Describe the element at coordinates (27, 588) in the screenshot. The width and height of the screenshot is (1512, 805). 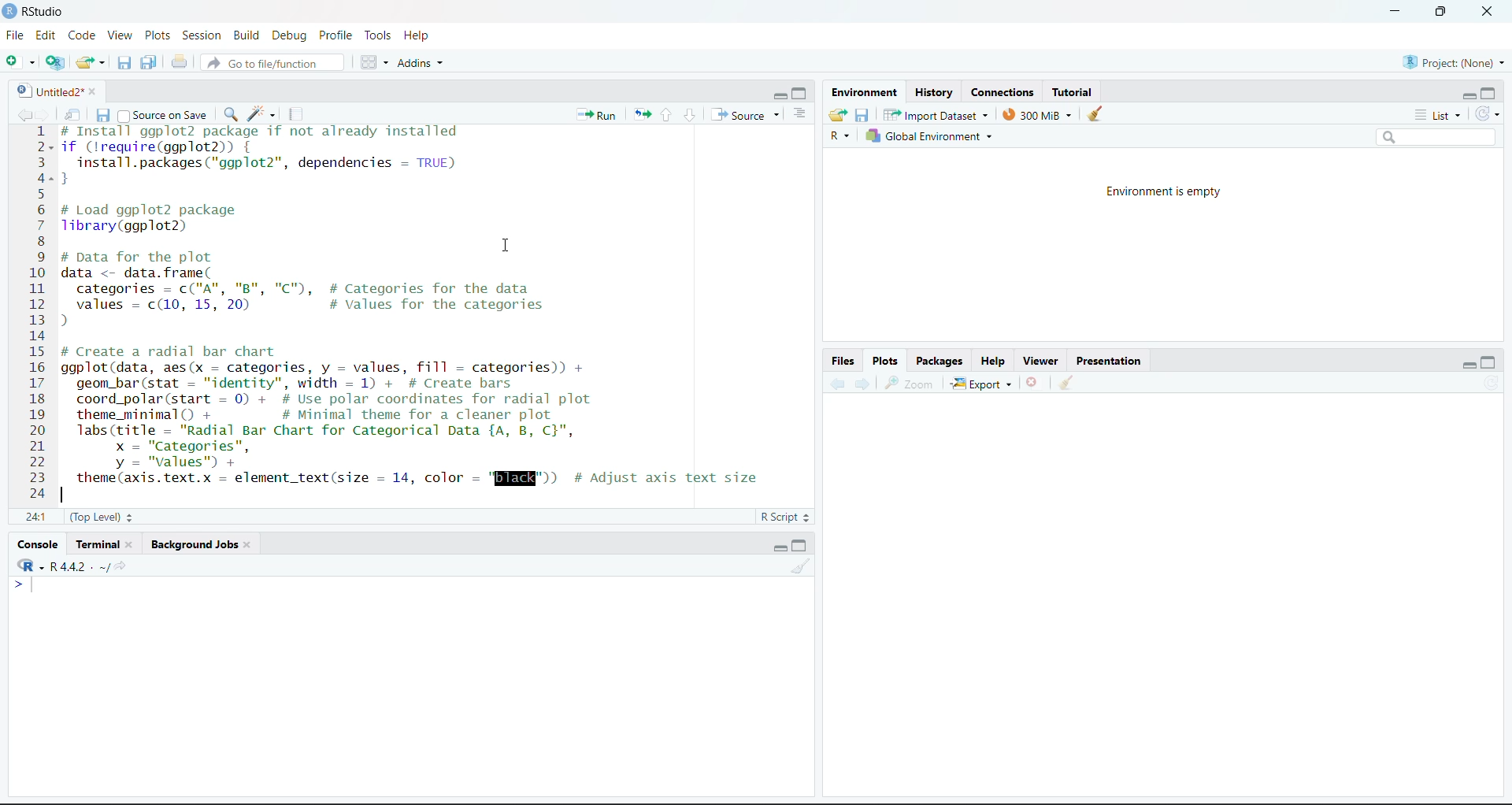
I see `typing cursor` at that location.